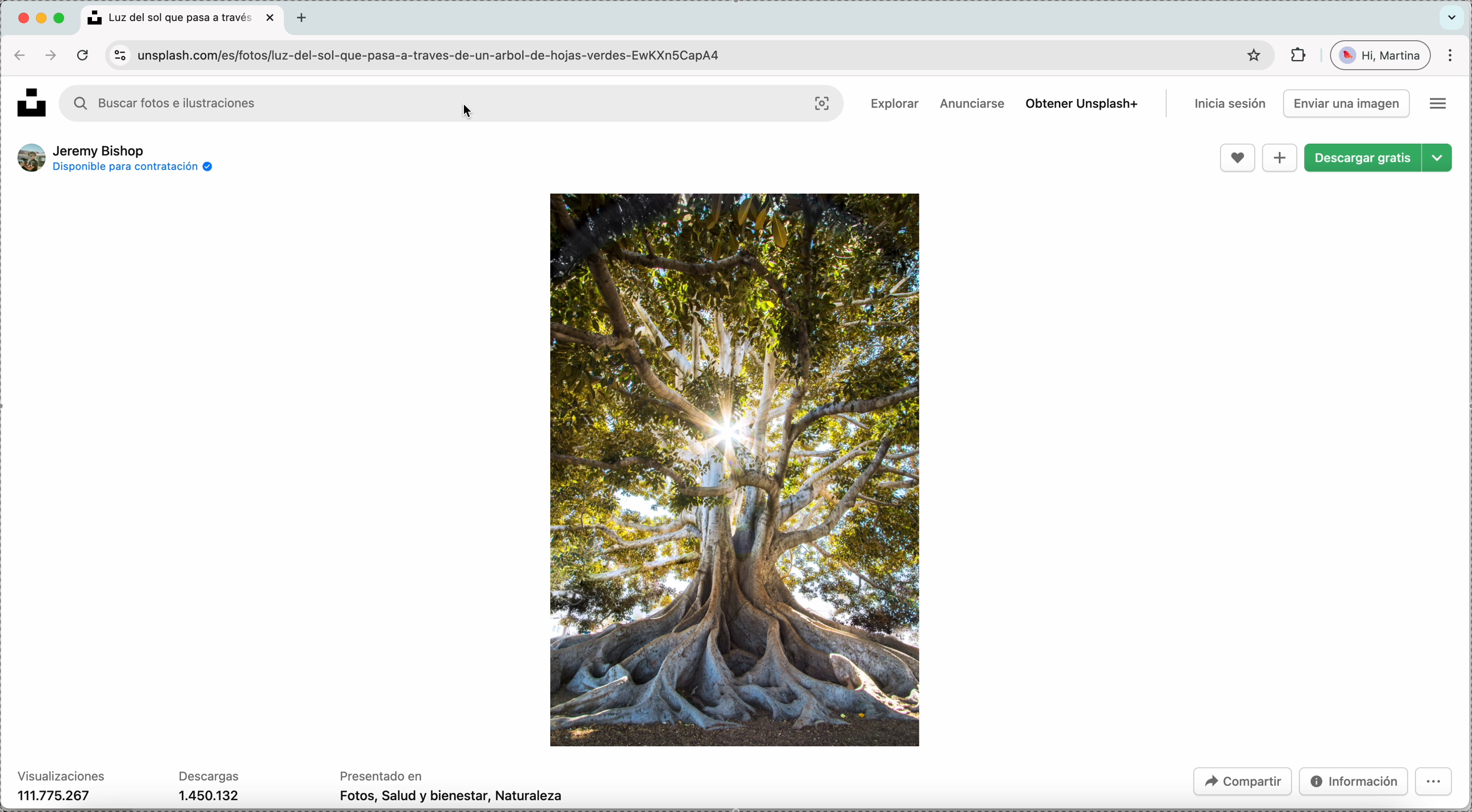 Image resolution: width=1472 pixels, height=812 pixels. I want to click on share, so click(1241, 781).